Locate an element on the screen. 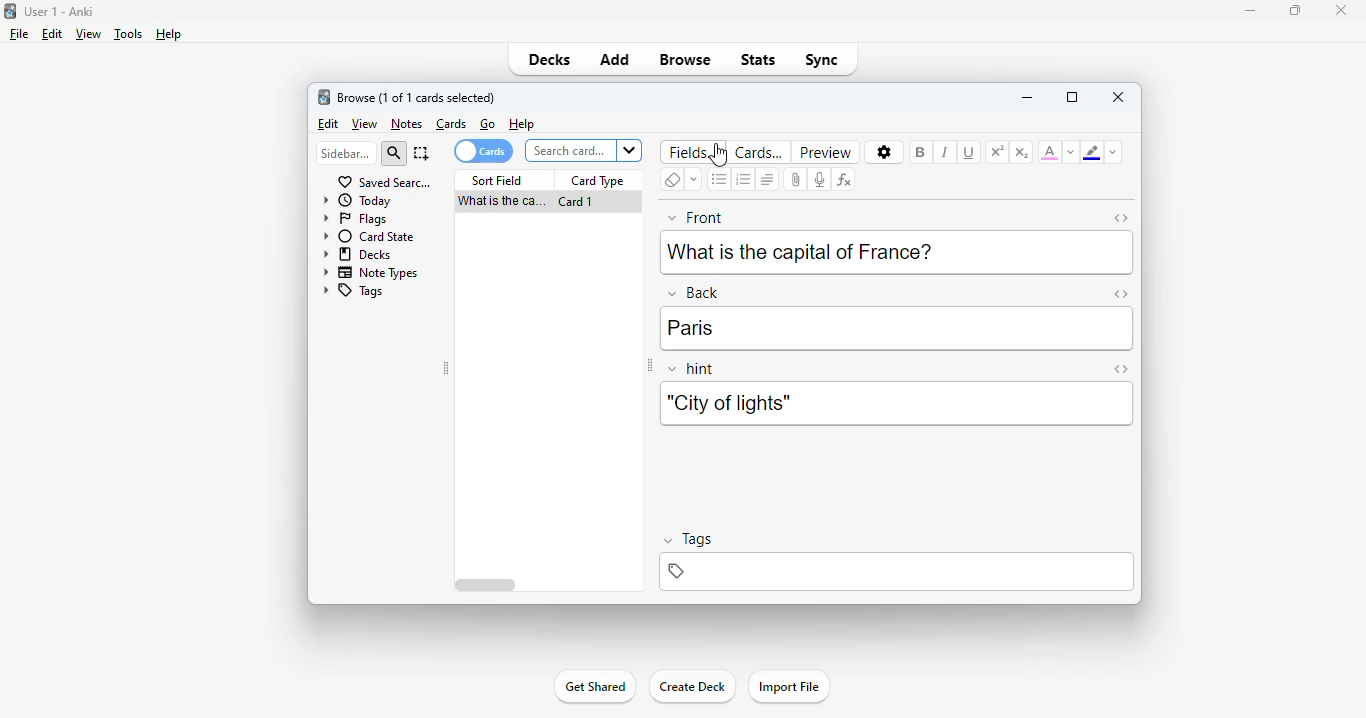 The height and width of the screenshot is (718, 1366). minimize is located at coordinates (1251, 10).